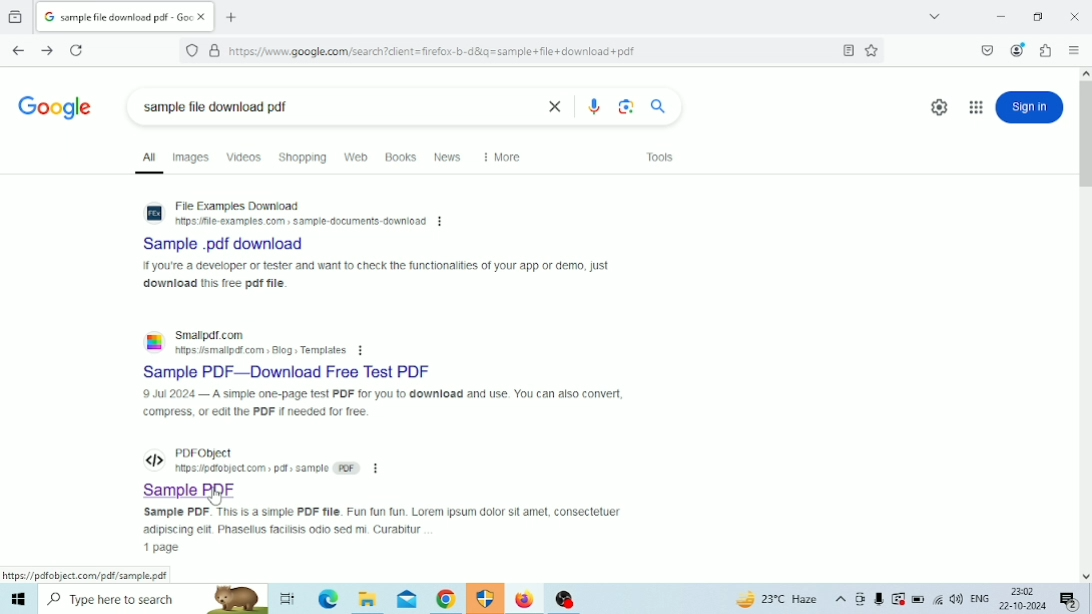 The height and width of the screenshot is (614, 1092). Describe the element at coordinates (841, 599) in the screenshot. I see `Show hidden icons` at that location.